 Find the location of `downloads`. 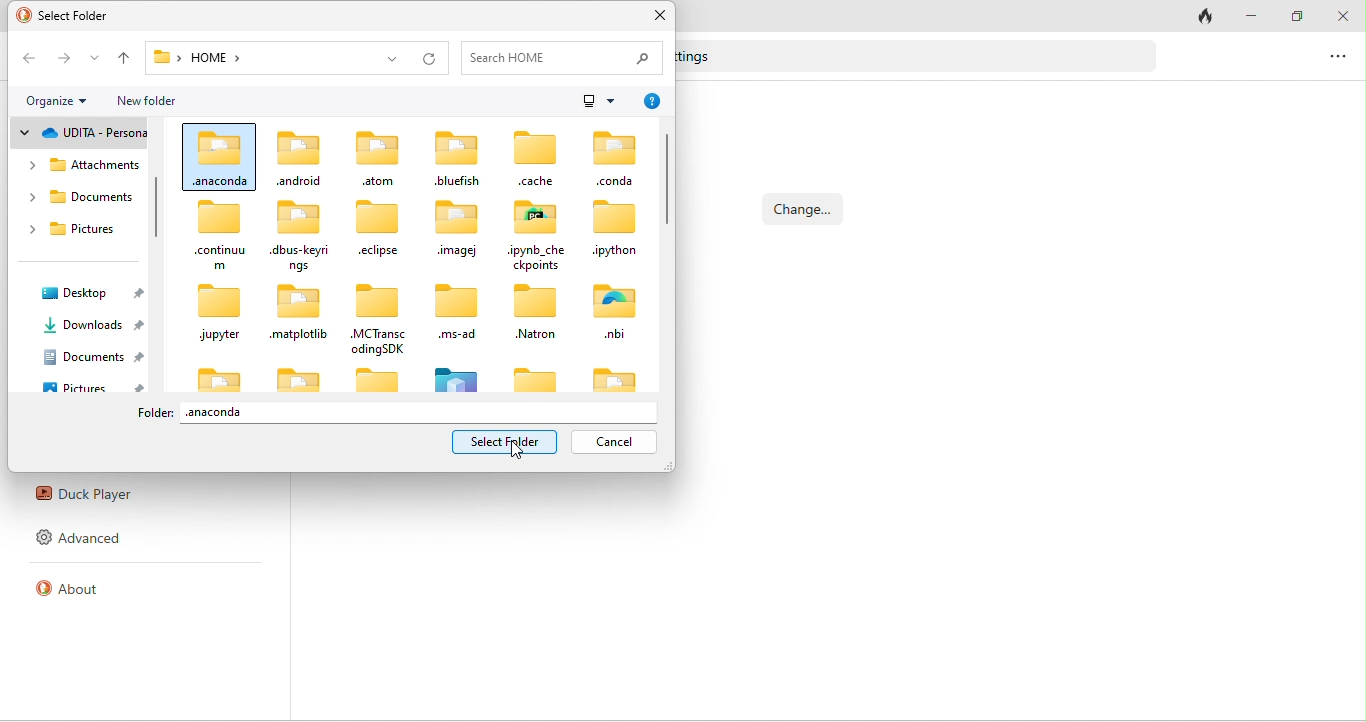

downloads is located at coordinates (94, 323).